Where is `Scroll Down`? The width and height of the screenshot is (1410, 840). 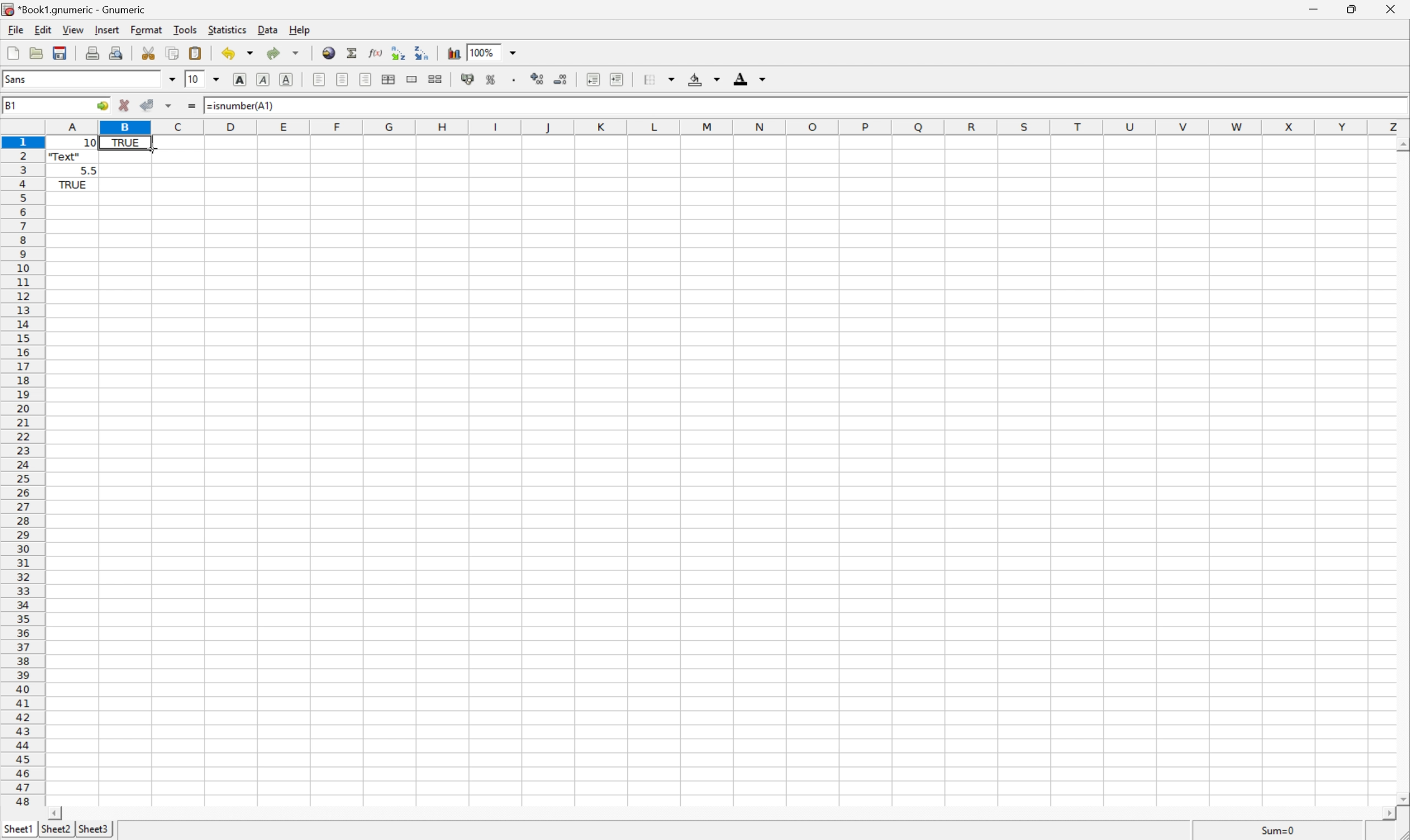 Scroll Down is located at coordinates (1401, 144).